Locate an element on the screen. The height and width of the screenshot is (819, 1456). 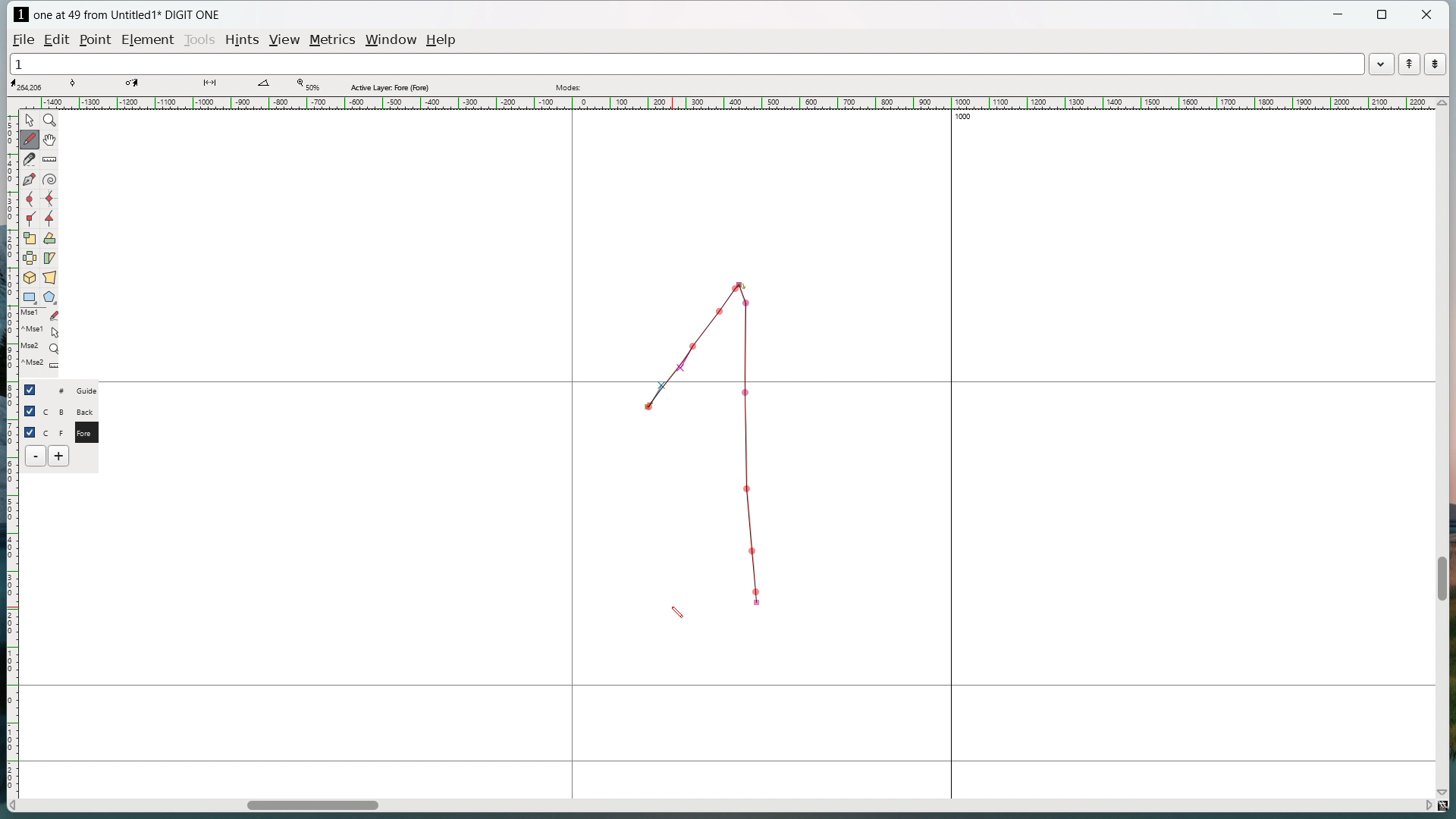
checkbox is located at coordinates (30, 431).